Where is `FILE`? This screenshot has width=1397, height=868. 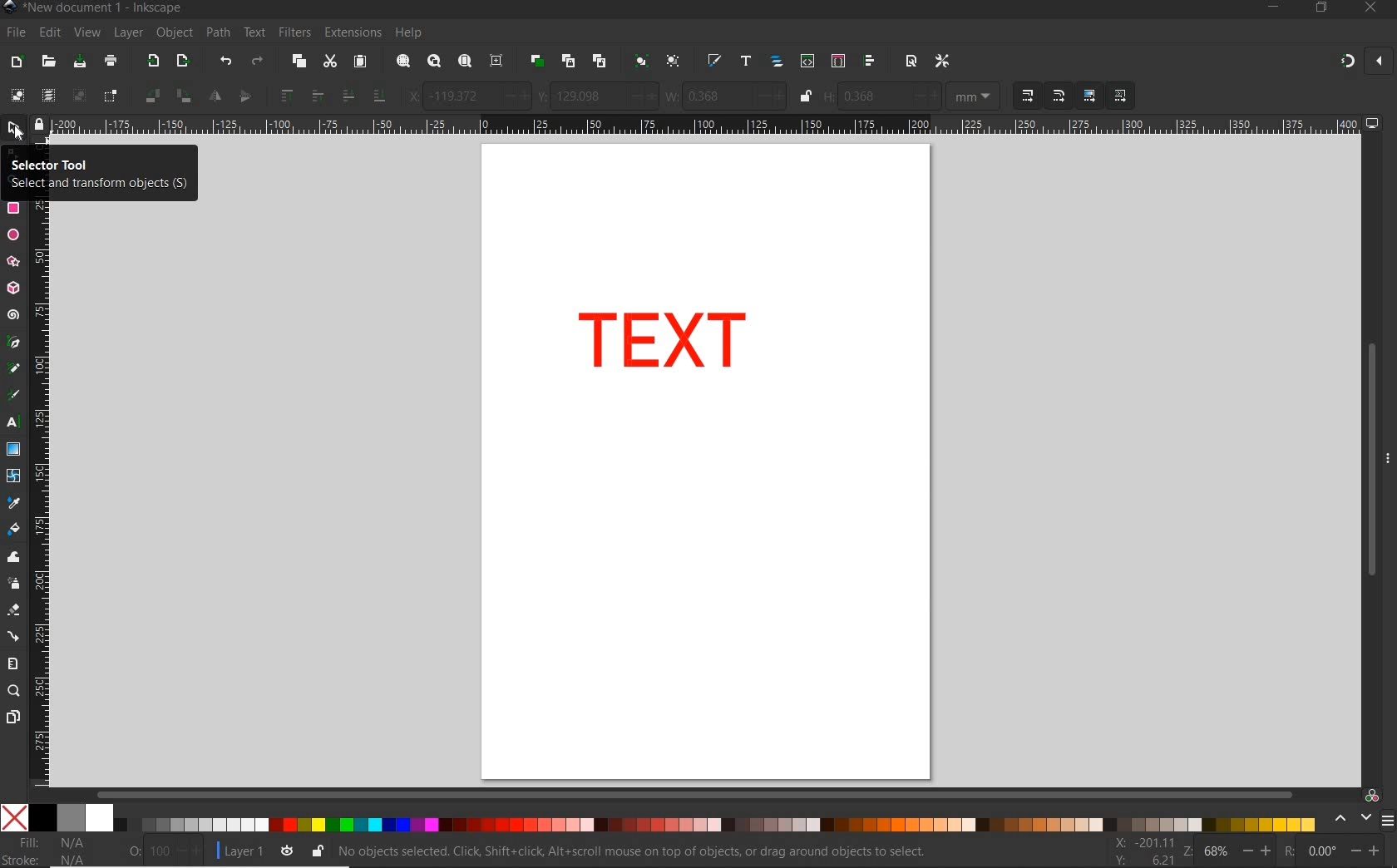 FILE is located at coordinates (14, 33).